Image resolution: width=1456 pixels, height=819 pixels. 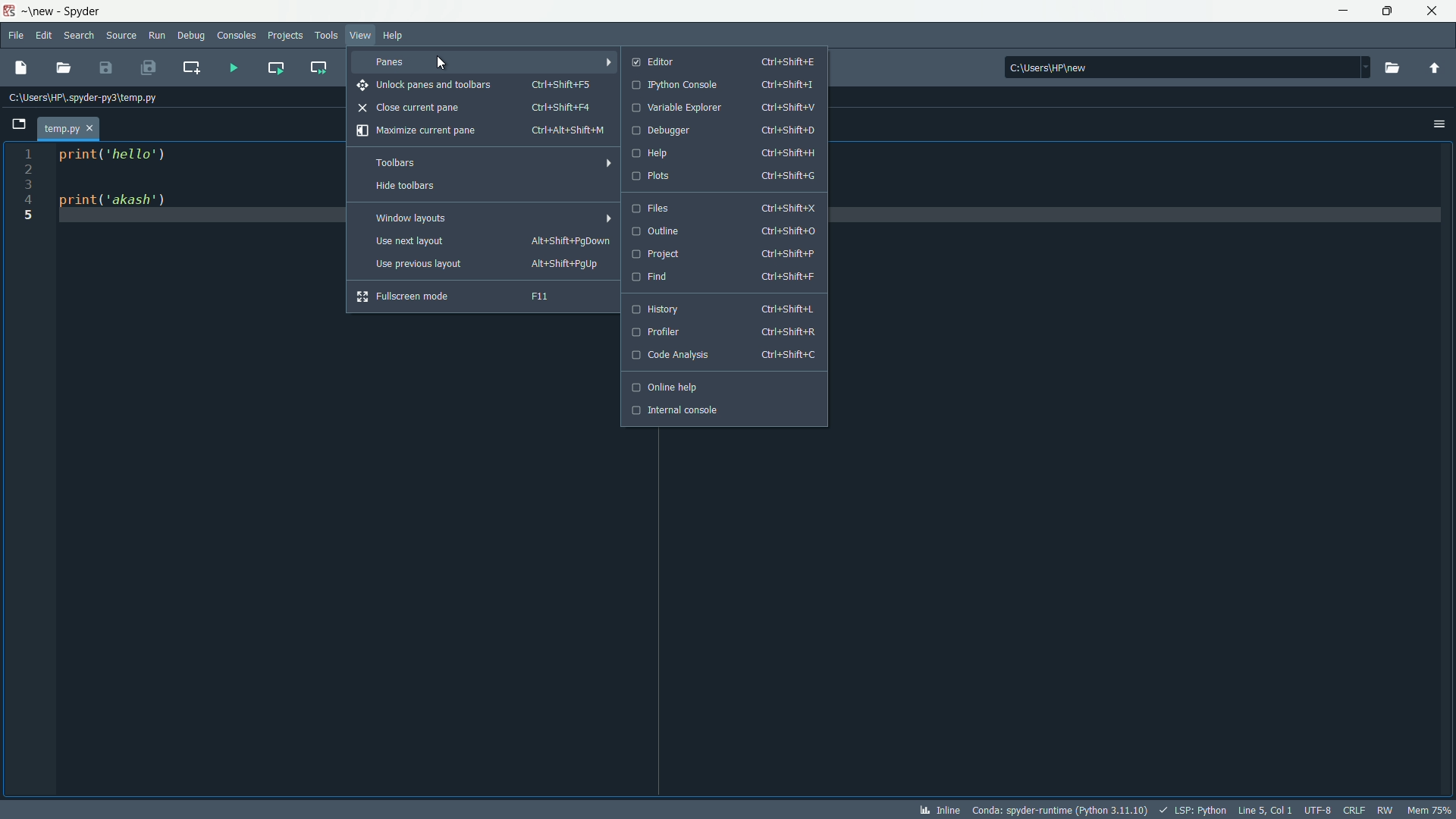 What do you see at coordinates (484, 162) in the screenshot?
I see `toolbars` at bounding box center [484, 162].